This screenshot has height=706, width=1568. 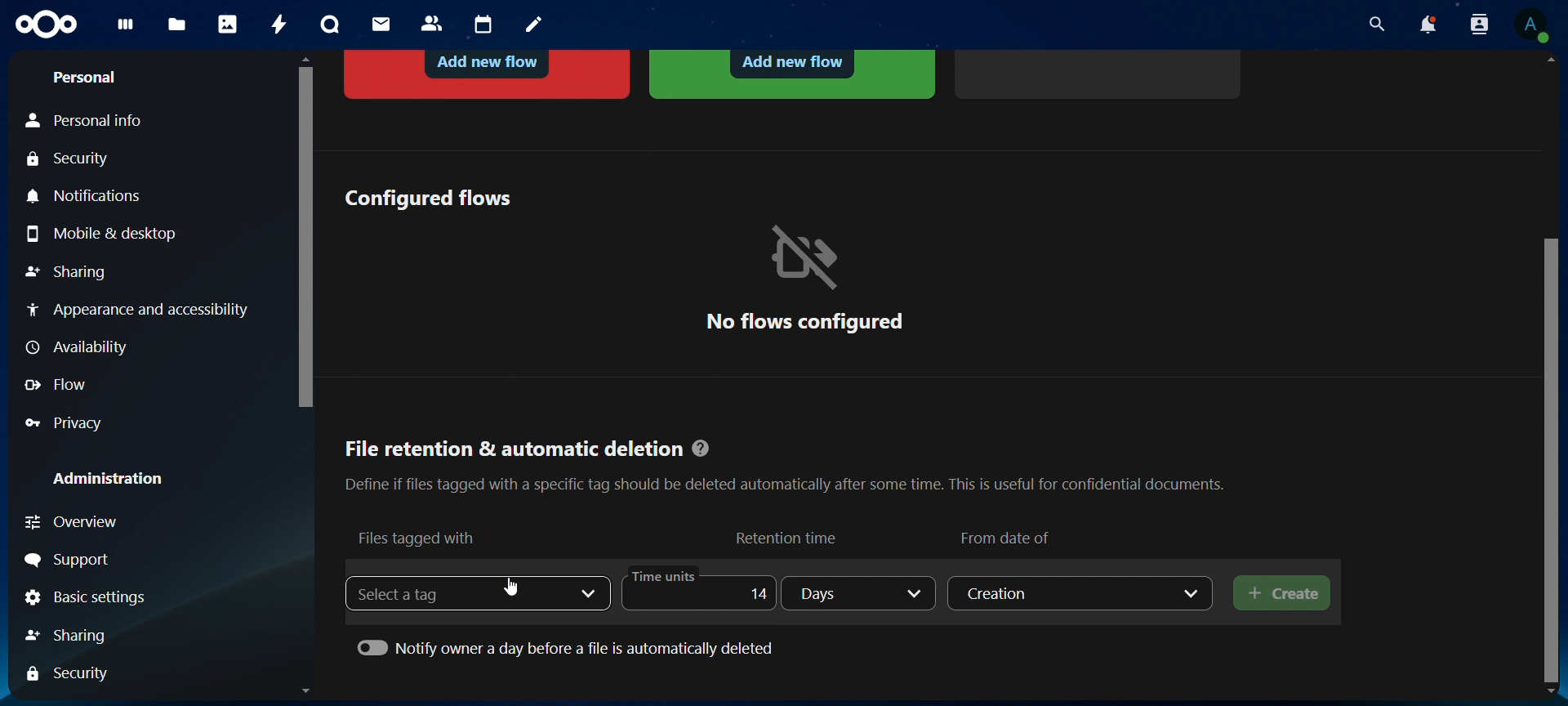 I want to click on privacy, so click(x=74, y=422).